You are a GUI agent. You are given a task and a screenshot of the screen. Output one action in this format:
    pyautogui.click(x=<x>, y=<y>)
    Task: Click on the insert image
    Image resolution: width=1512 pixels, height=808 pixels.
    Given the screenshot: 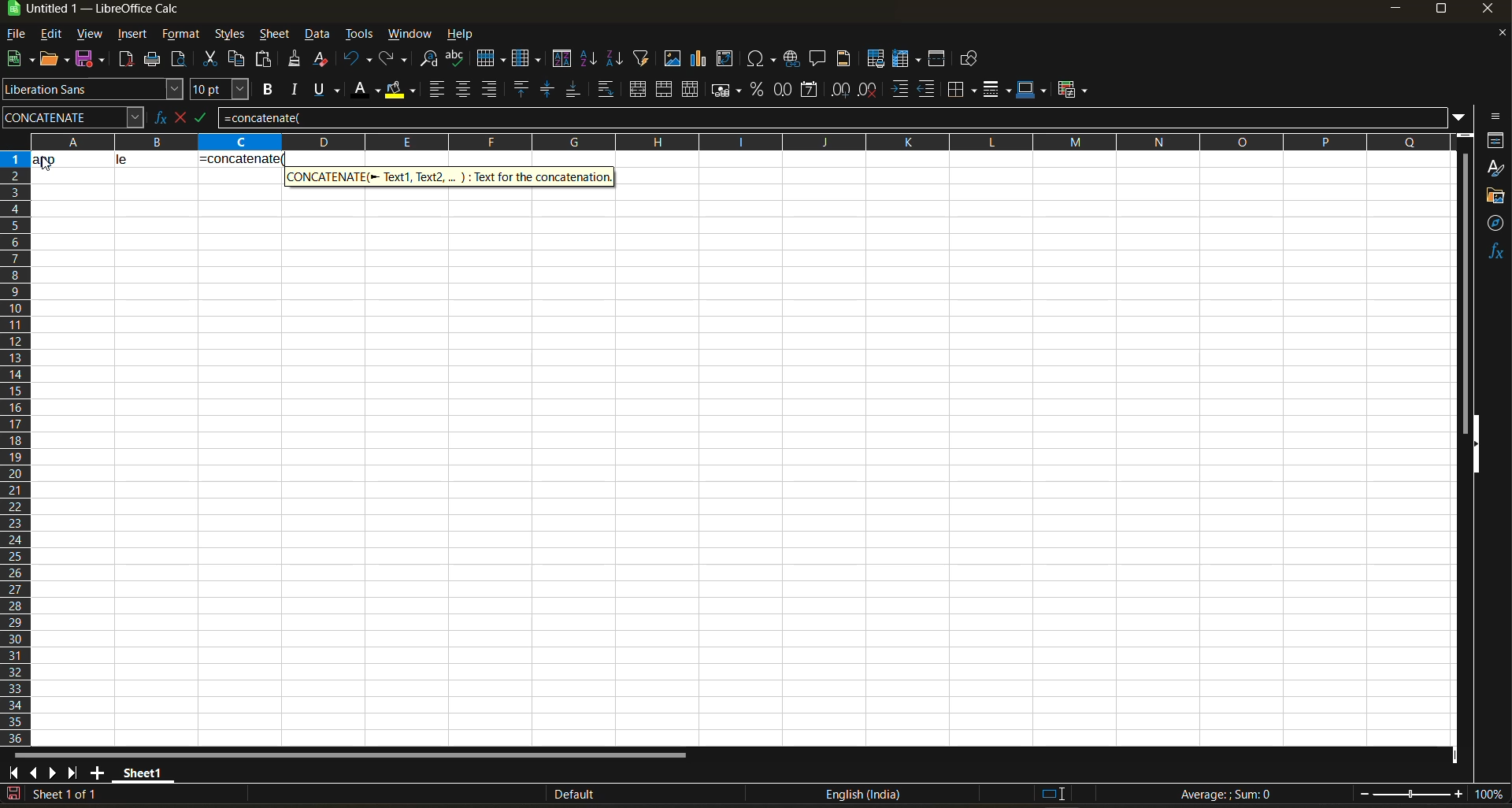 What is the action you would take?
    pyautogui.click(x=672, y=58)
    